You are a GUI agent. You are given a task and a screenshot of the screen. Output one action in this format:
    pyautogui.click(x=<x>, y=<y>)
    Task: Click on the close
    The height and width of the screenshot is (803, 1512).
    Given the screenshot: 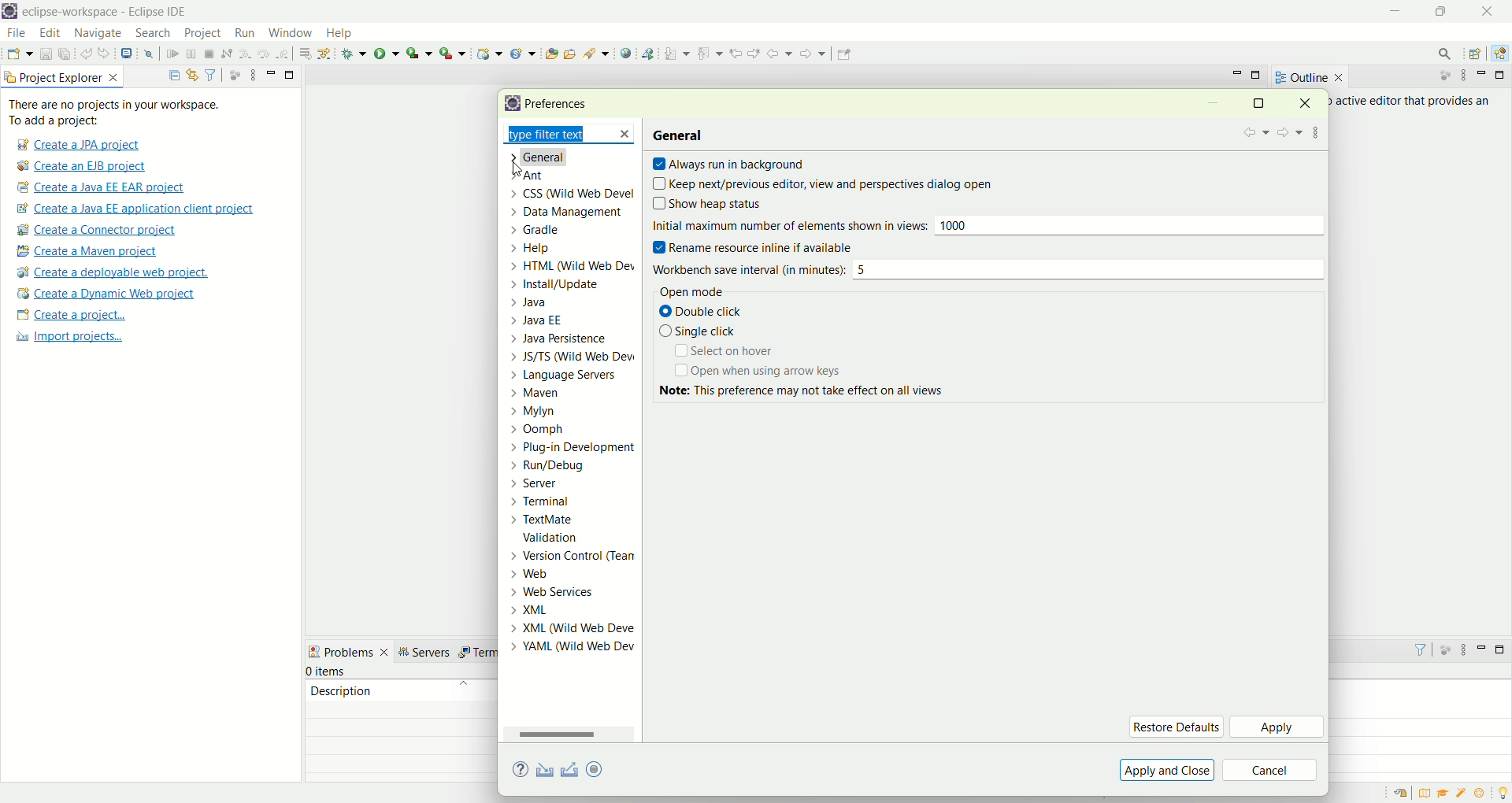 What is the action you would take?
    pyautogui.click(x=1310, y=102)
    